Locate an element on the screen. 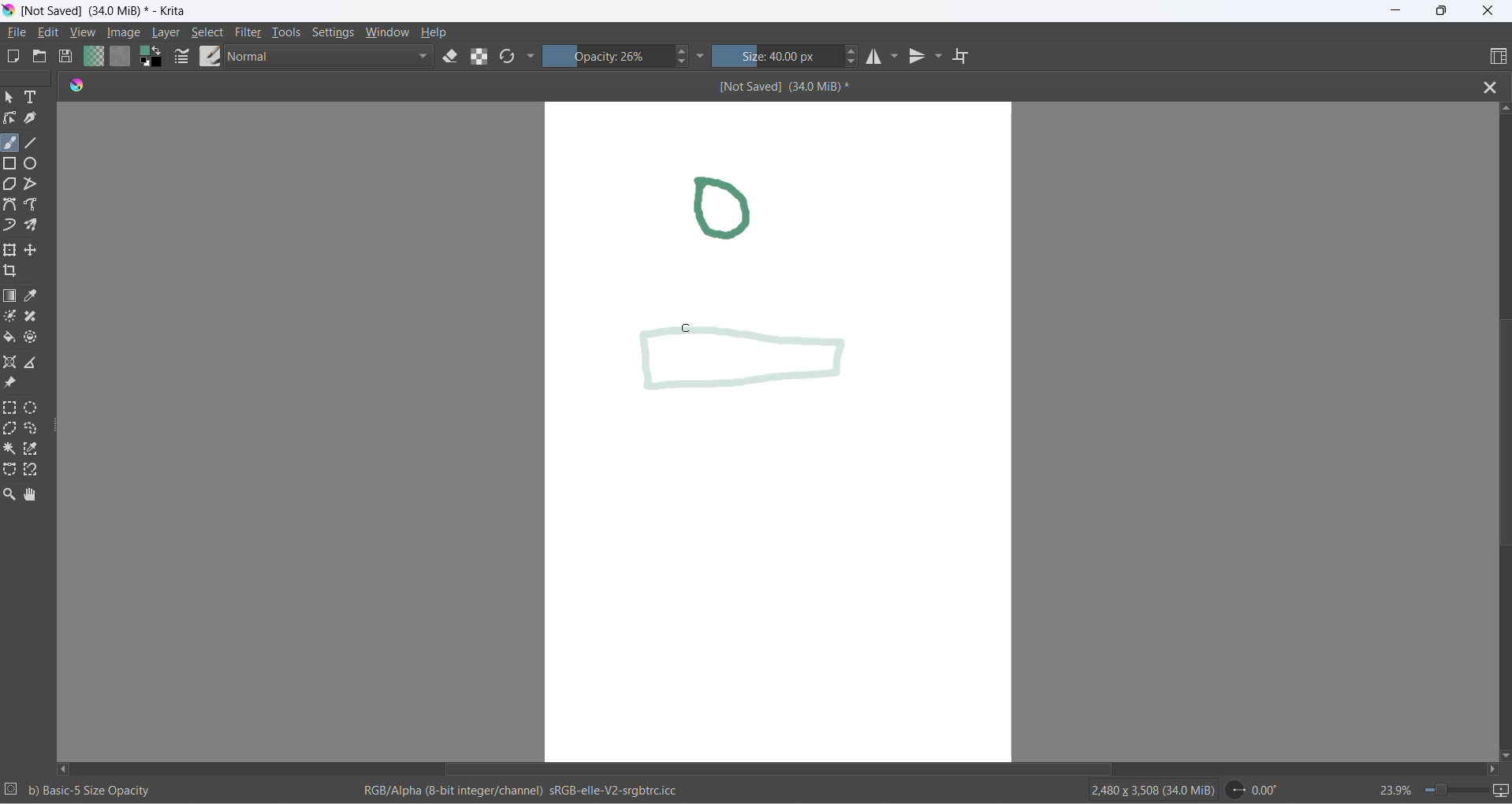  brush presets is located at coordinates (207, 58).